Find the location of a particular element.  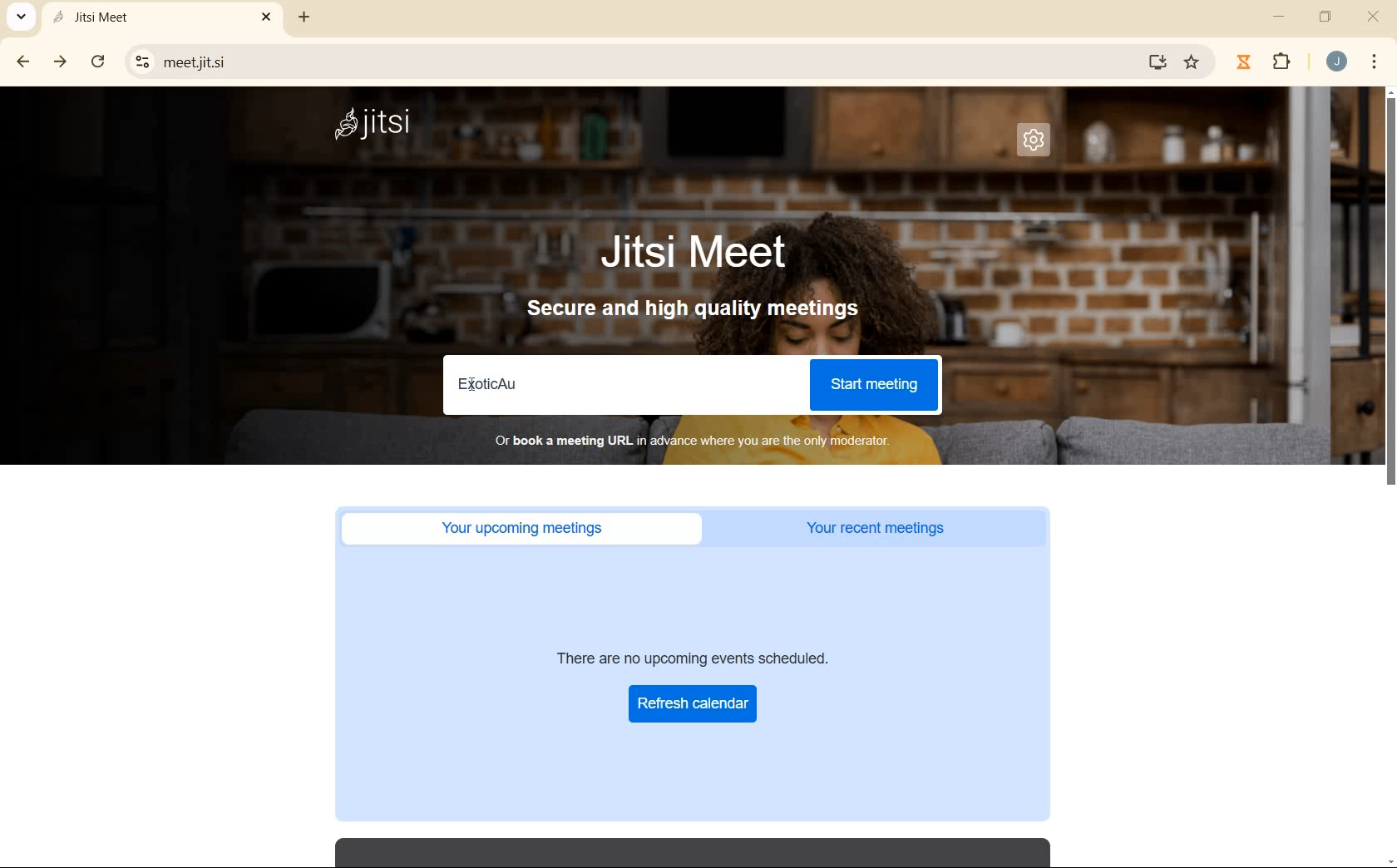

minimize is located at coordinates (1281, 17).